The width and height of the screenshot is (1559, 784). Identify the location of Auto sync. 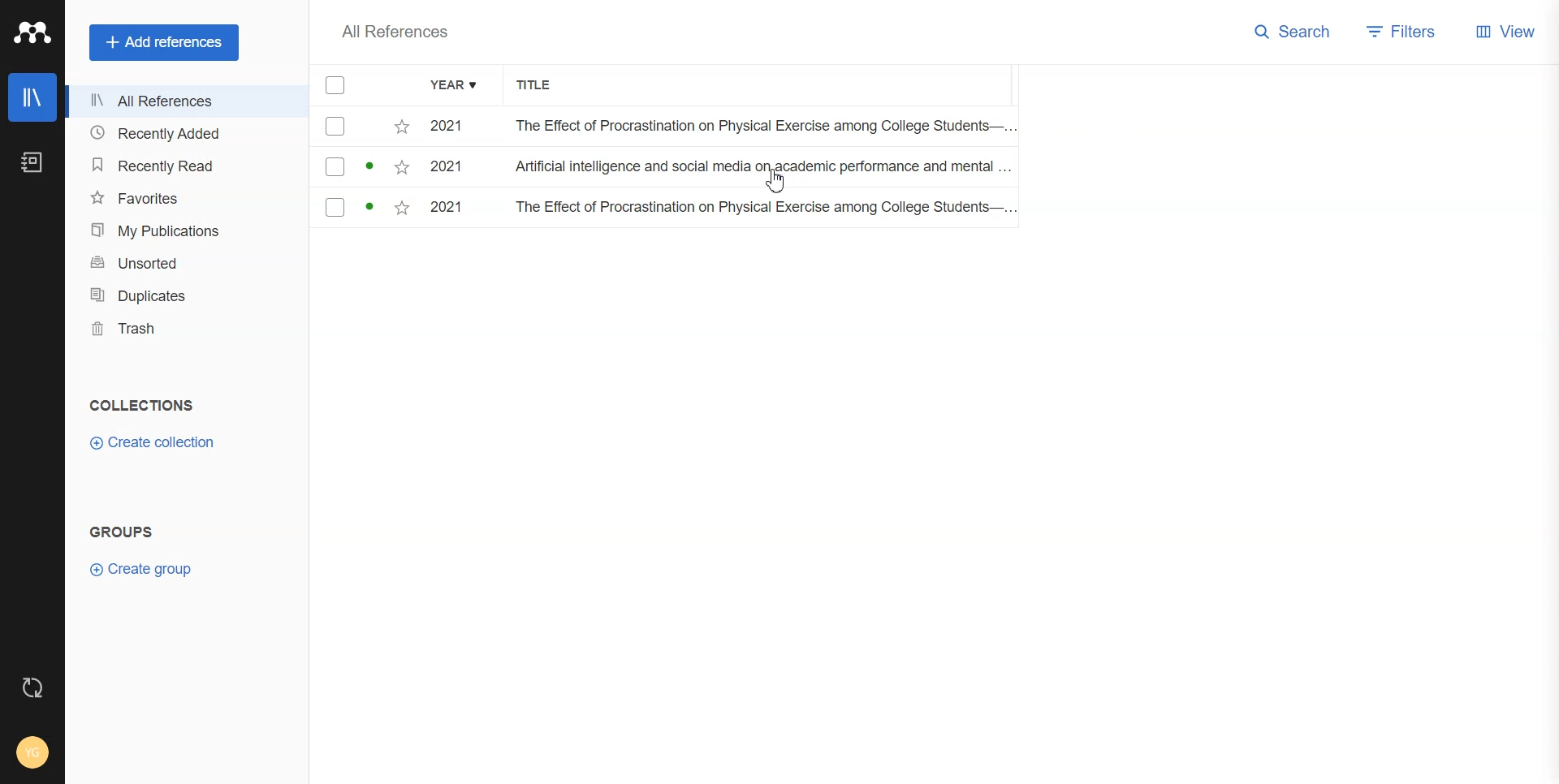
(32, 687).